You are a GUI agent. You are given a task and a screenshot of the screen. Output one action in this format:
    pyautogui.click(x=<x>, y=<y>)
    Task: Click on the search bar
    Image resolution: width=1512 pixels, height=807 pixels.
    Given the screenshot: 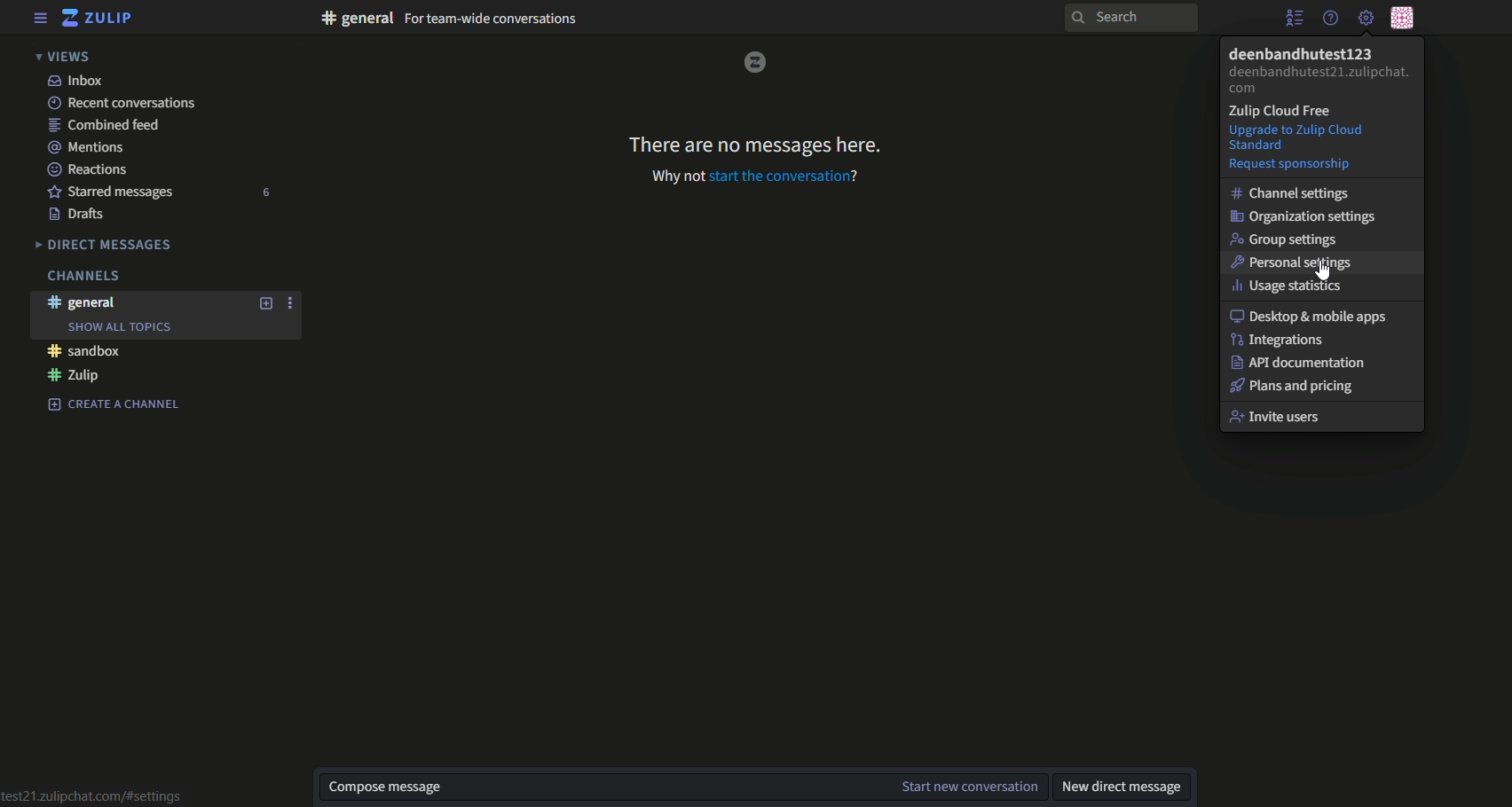 What is the action you would take?
    pyautogui.click(x=1129, y=19)
    